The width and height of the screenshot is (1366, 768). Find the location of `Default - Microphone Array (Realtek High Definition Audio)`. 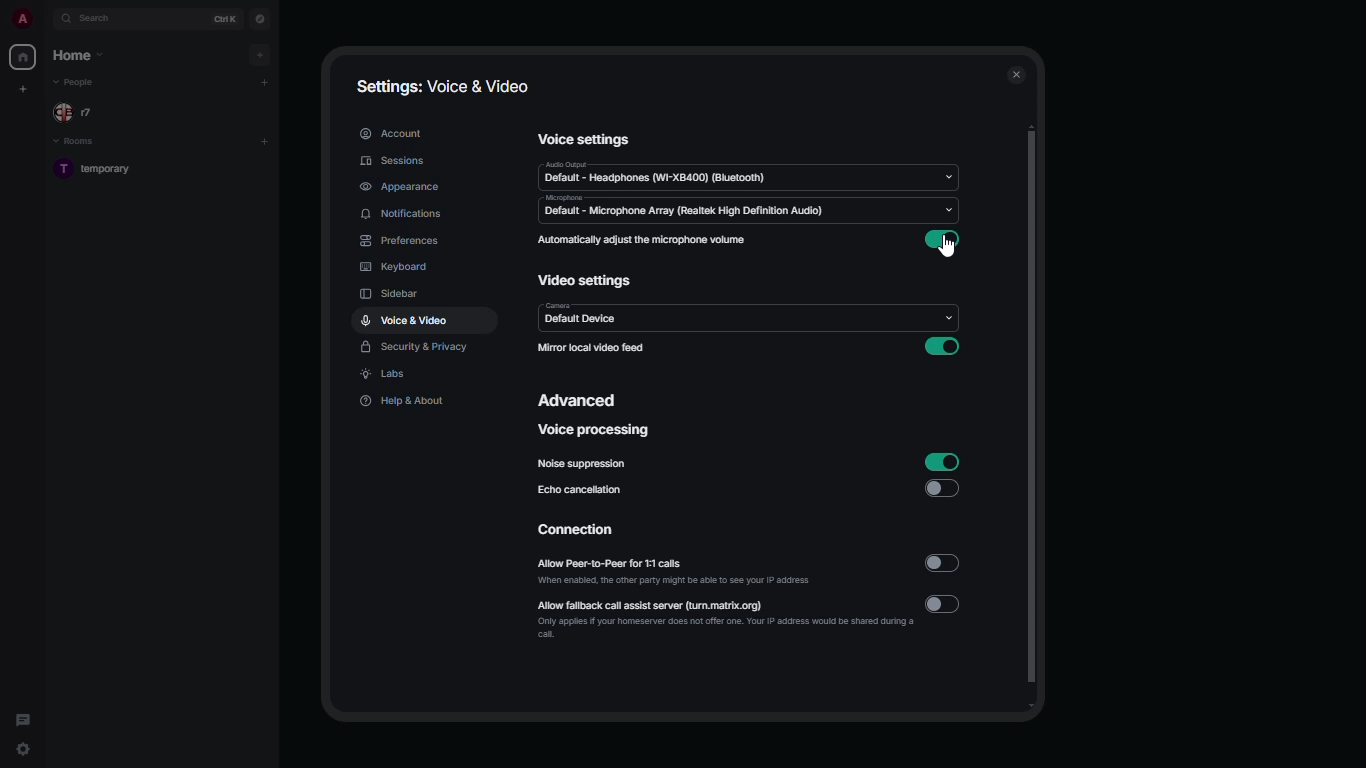

Default - Microphone Array (Realtek High Definition Audio) is located at coordinates (707, 208).